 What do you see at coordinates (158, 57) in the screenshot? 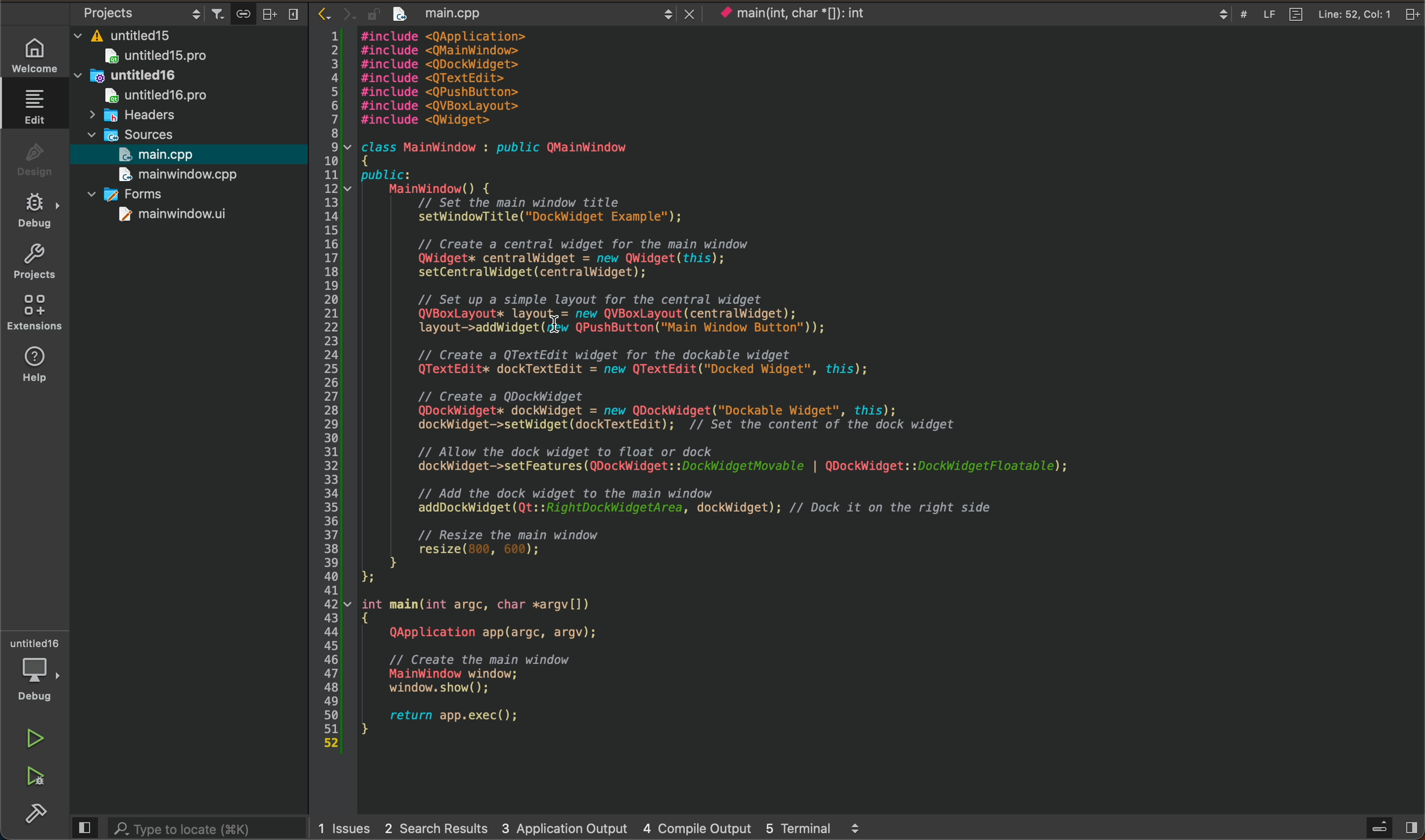
I see `untitled15pro` at bounding box center [158, 57].